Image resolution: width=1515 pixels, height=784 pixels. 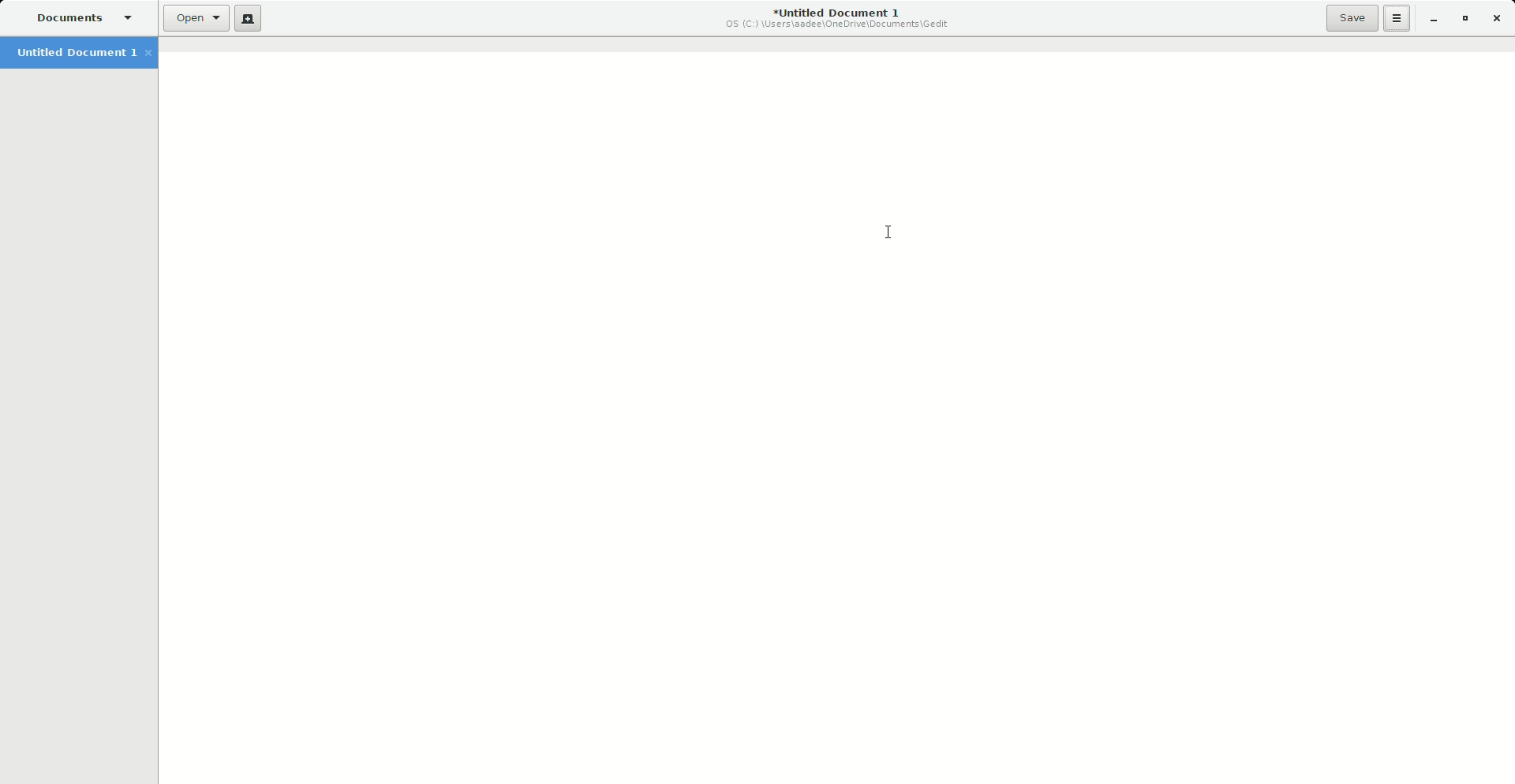 What do you see at coordinates (888, 233) in the screenshot?
I see `Cursor` at bounding box center [888, 233].